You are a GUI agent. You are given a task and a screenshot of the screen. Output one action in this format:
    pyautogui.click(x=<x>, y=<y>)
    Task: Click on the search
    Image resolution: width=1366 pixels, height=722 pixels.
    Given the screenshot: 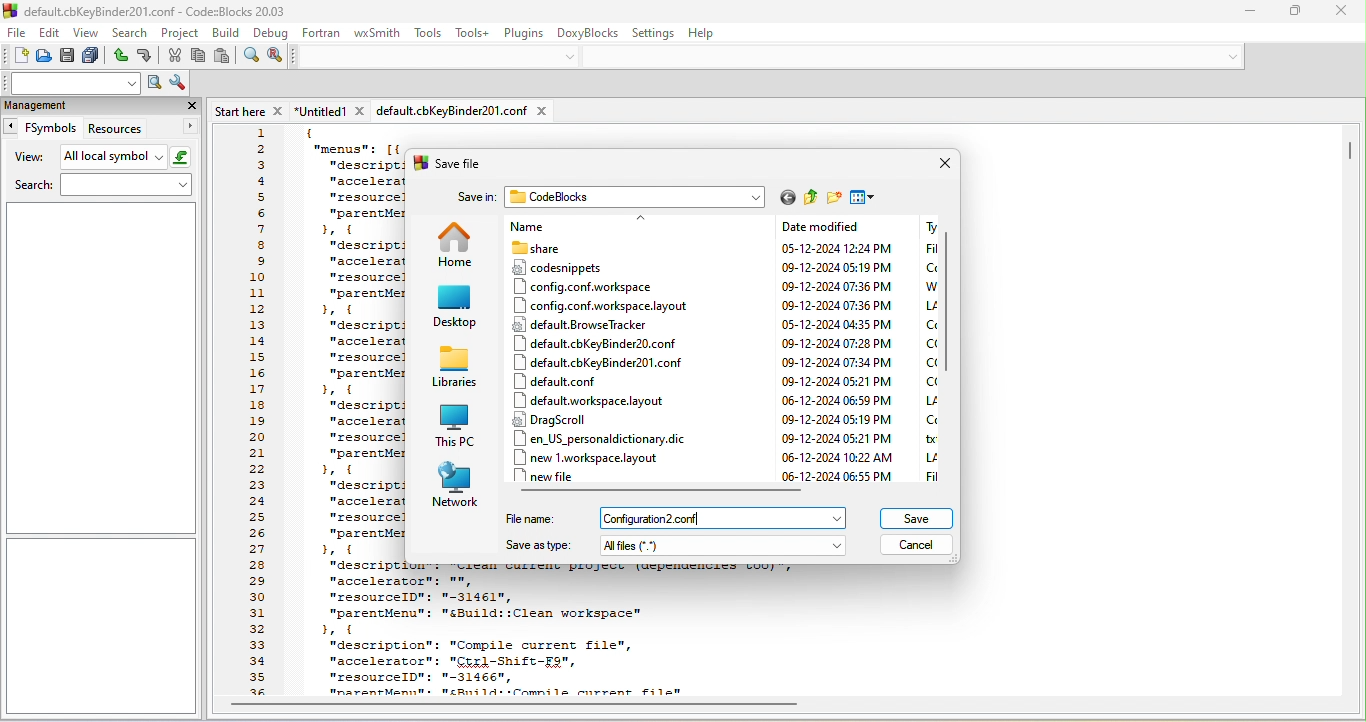 What is the action you would take?
    pyautogui.click(x=100, y=187)
    